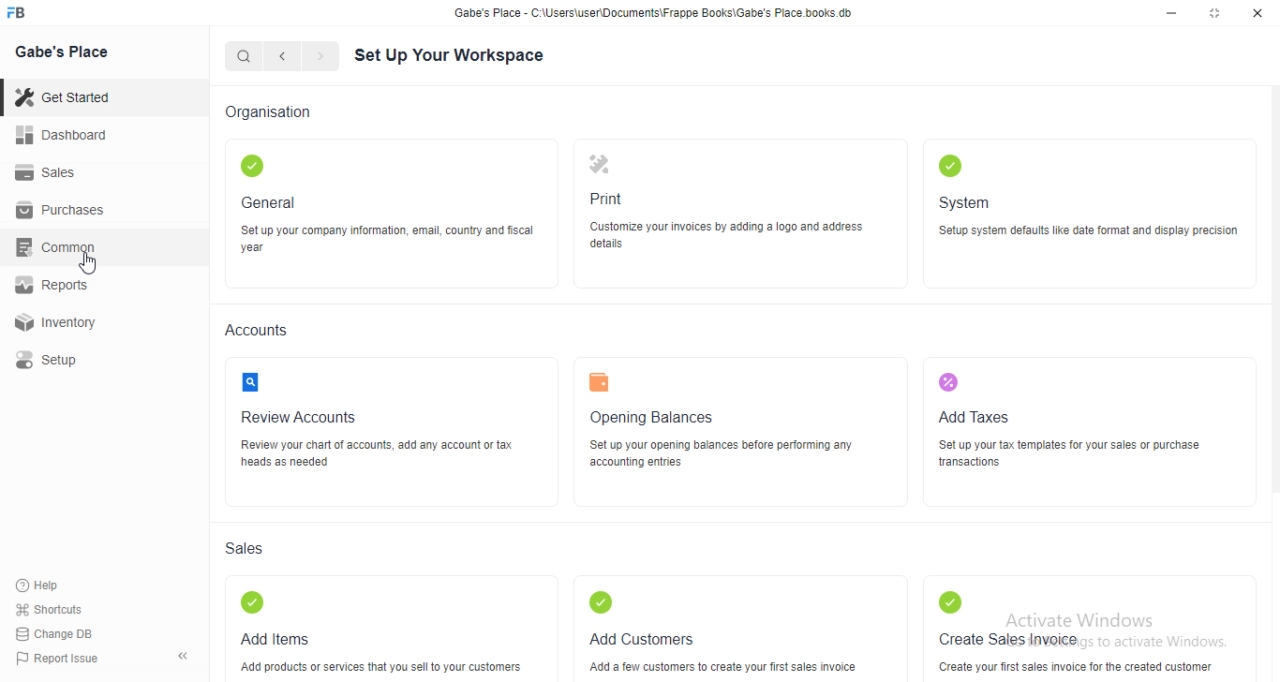 This screenshot has width=1280, height=682. What do you see at coordinates (257, 330) in the screenshot?
I see `Accounts` at bounding box center [257, 330].